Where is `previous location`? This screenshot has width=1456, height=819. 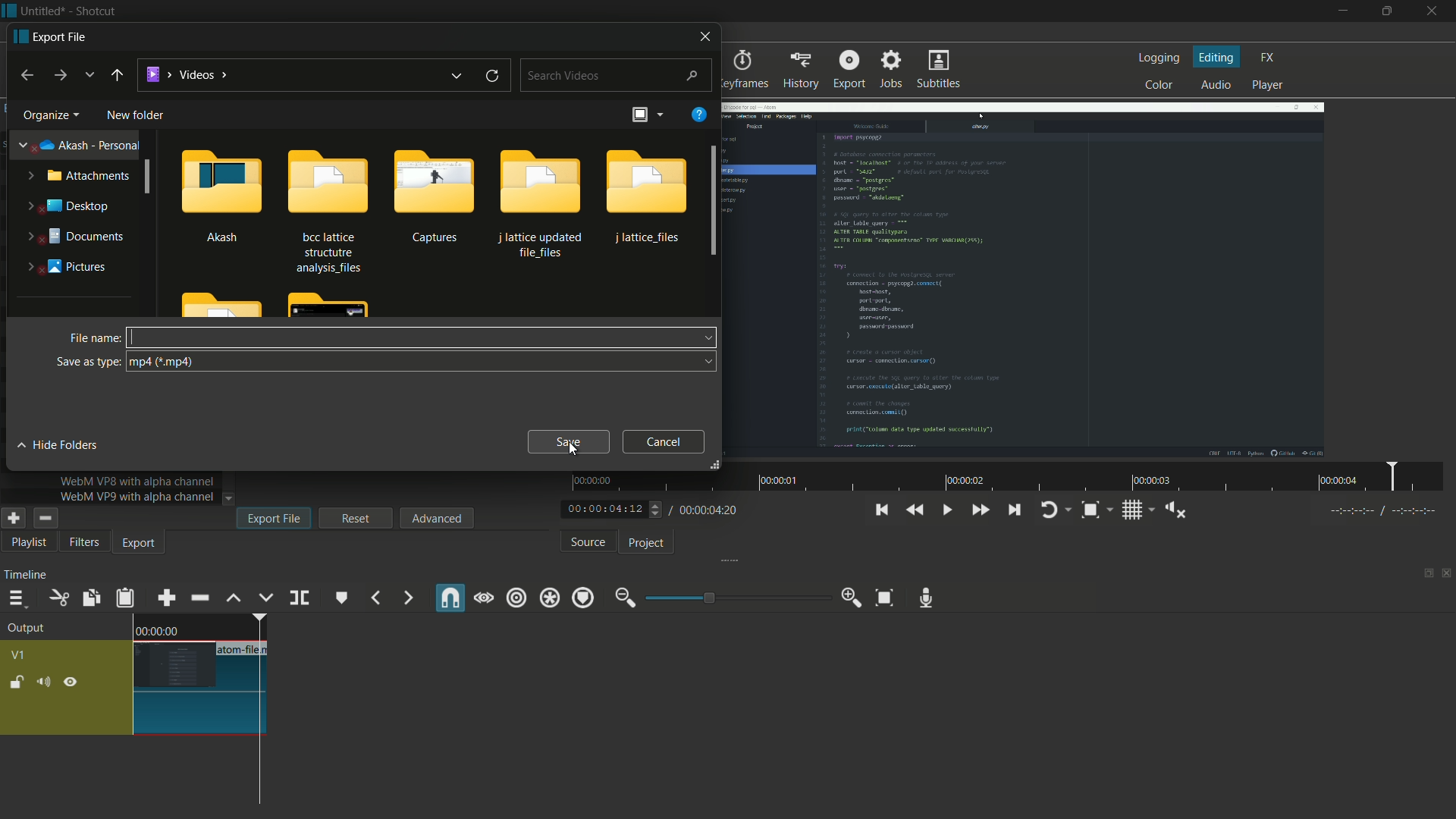
previous location is located at coordinates (457, 76).